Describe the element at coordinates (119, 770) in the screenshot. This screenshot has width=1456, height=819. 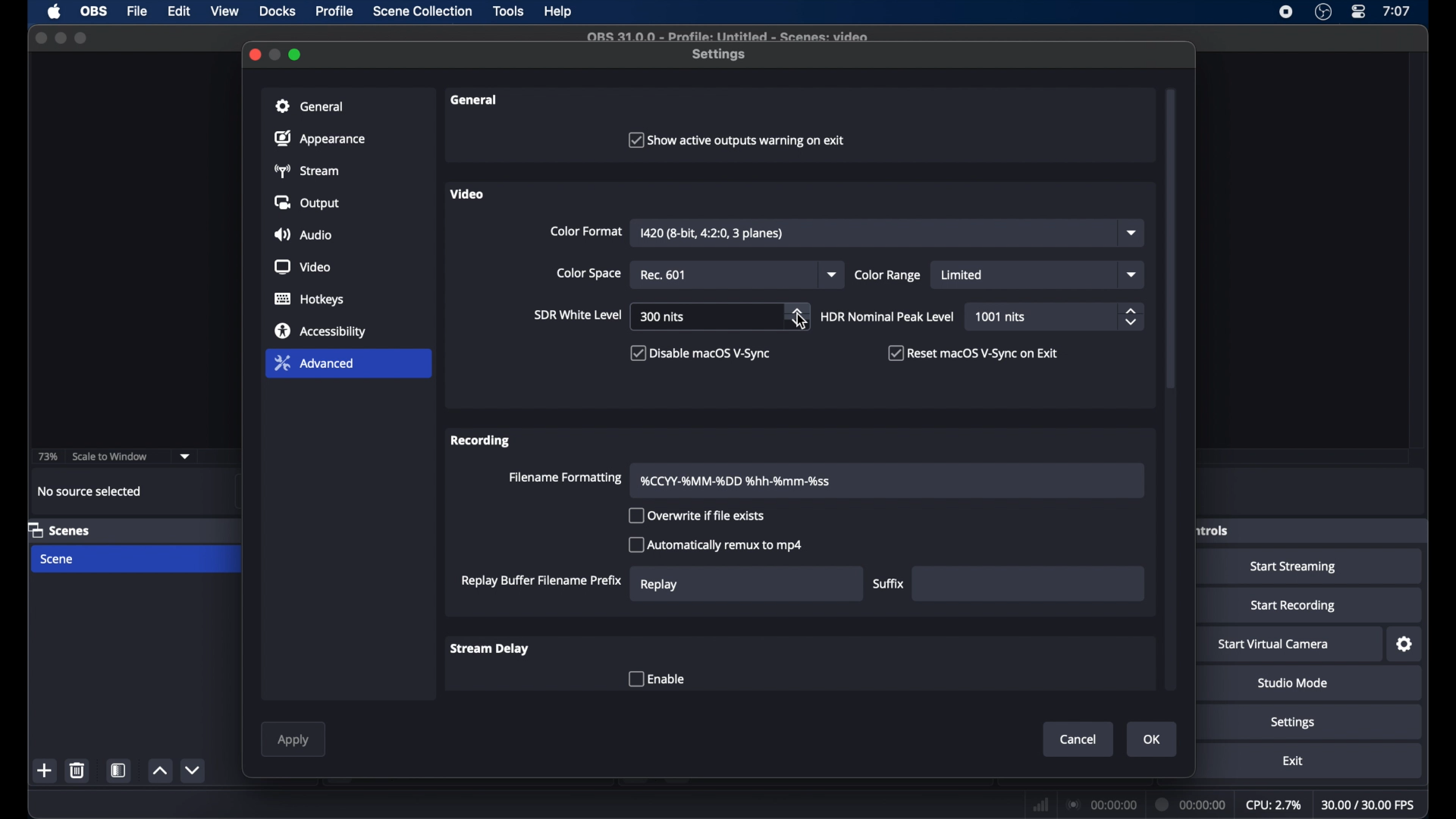
I see `scene filters` at that location.